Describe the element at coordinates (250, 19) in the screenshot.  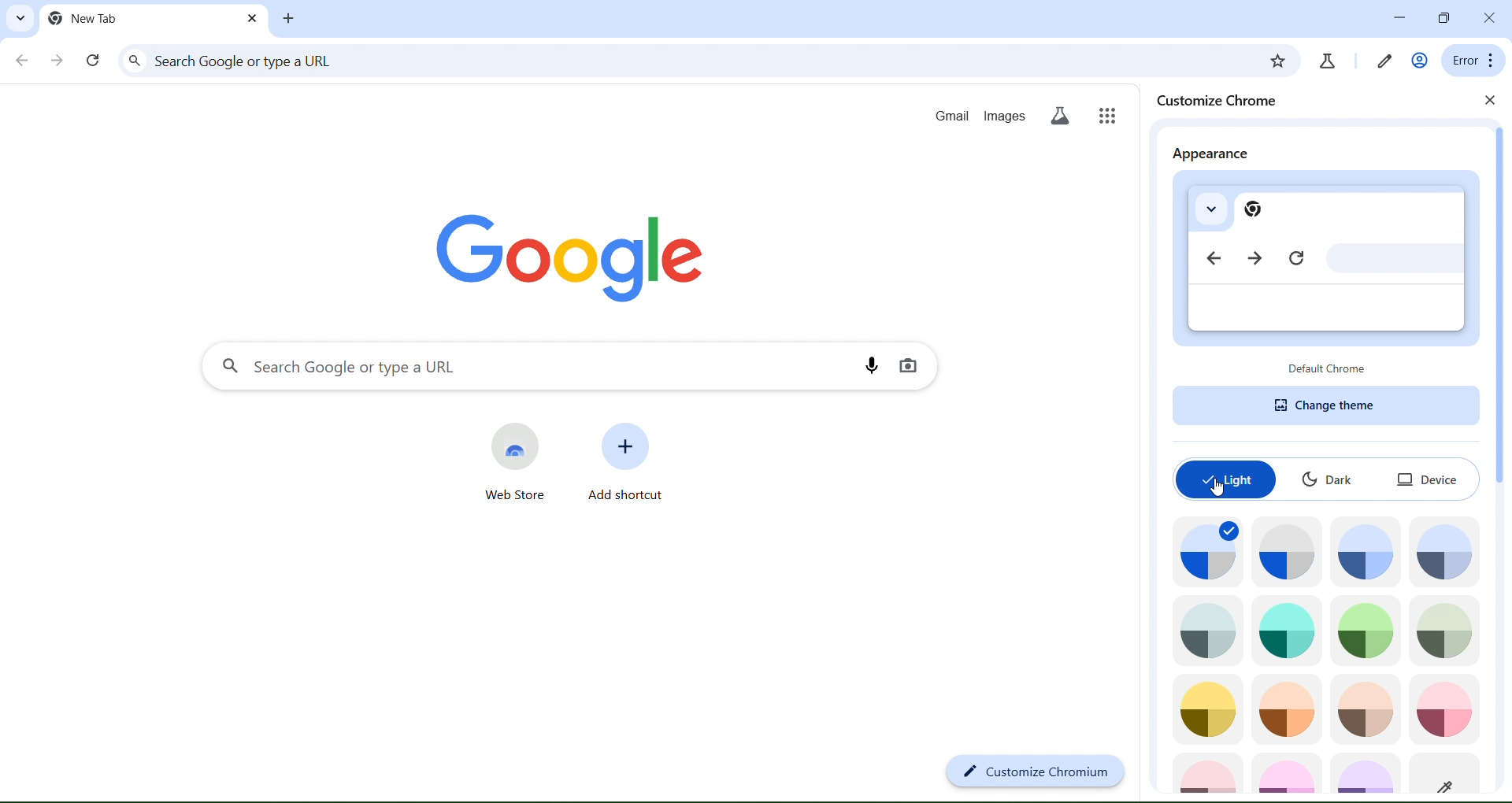
I see `close tab` at that location.